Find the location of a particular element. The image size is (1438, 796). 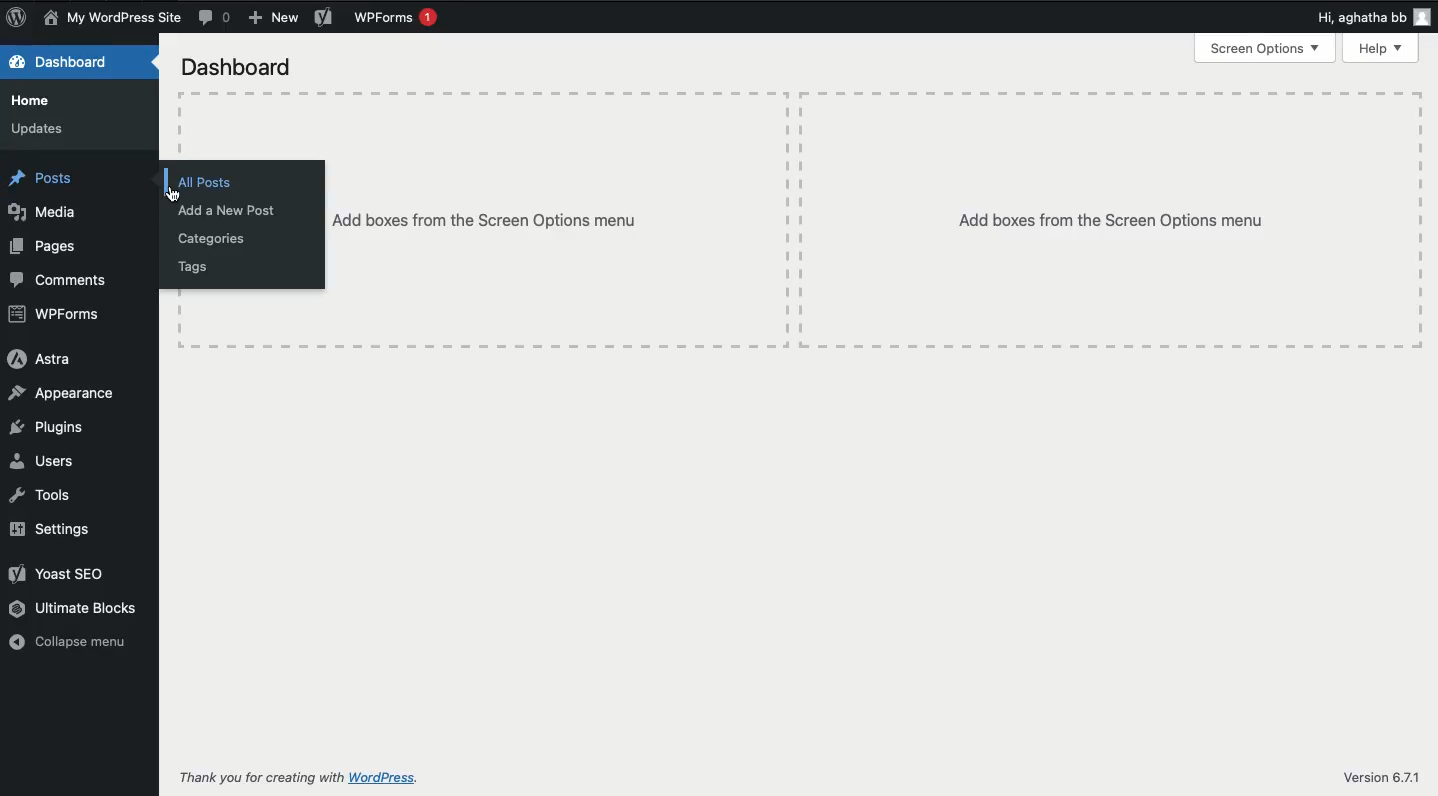

Updates is located at coordinates (40, 128).